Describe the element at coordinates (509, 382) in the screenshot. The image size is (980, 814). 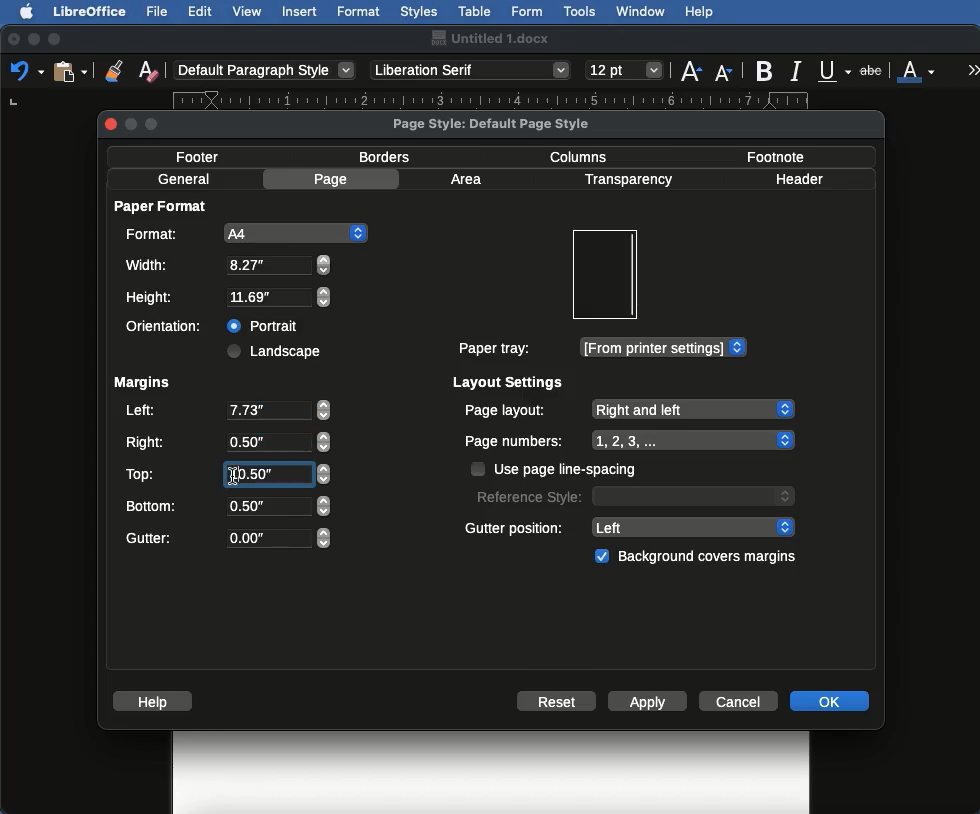
I see `Layout settings` at that location.